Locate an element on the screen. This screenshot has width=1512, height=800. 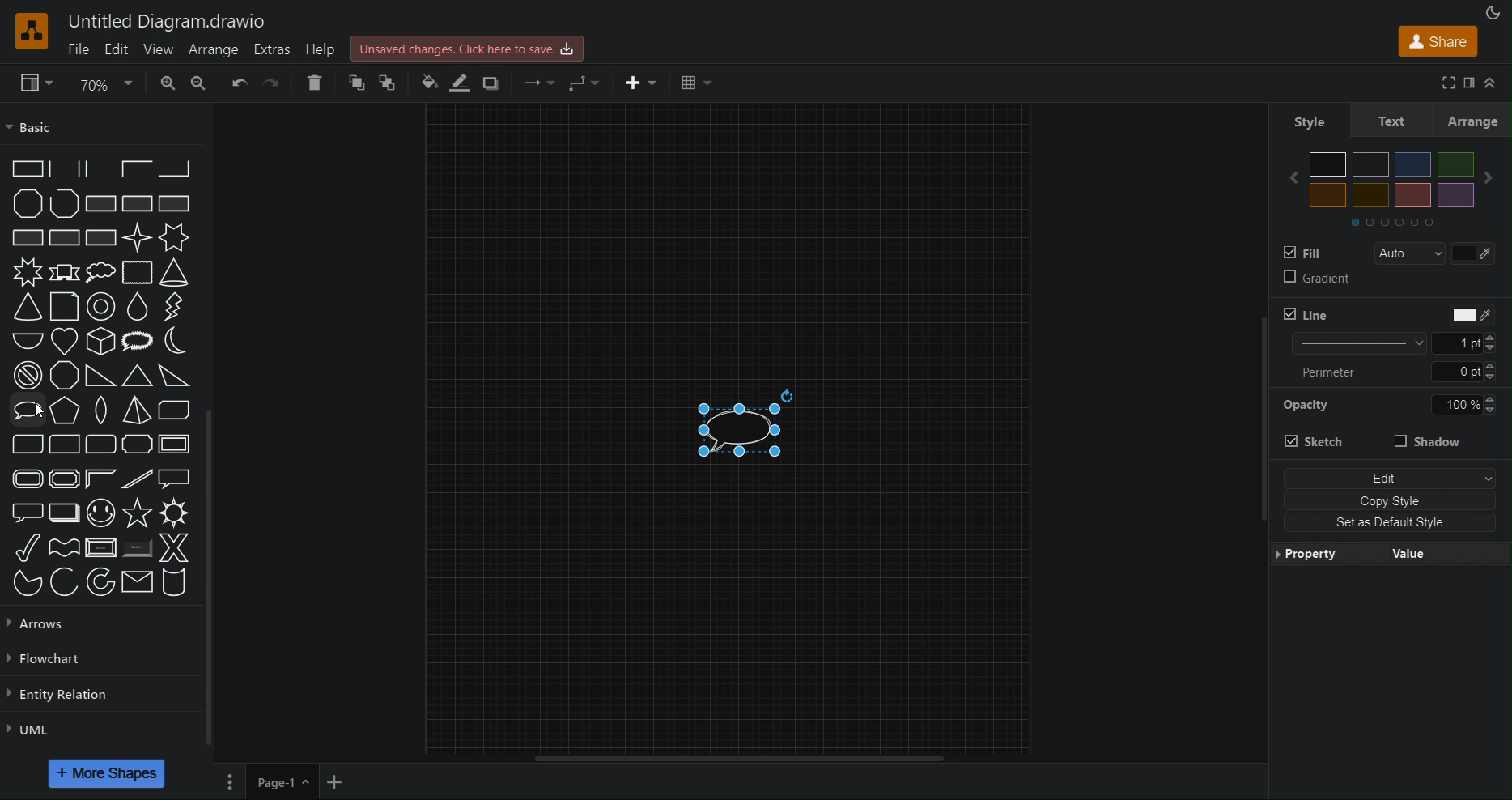
Partial Rectangle is located at coordinates (64, 168).